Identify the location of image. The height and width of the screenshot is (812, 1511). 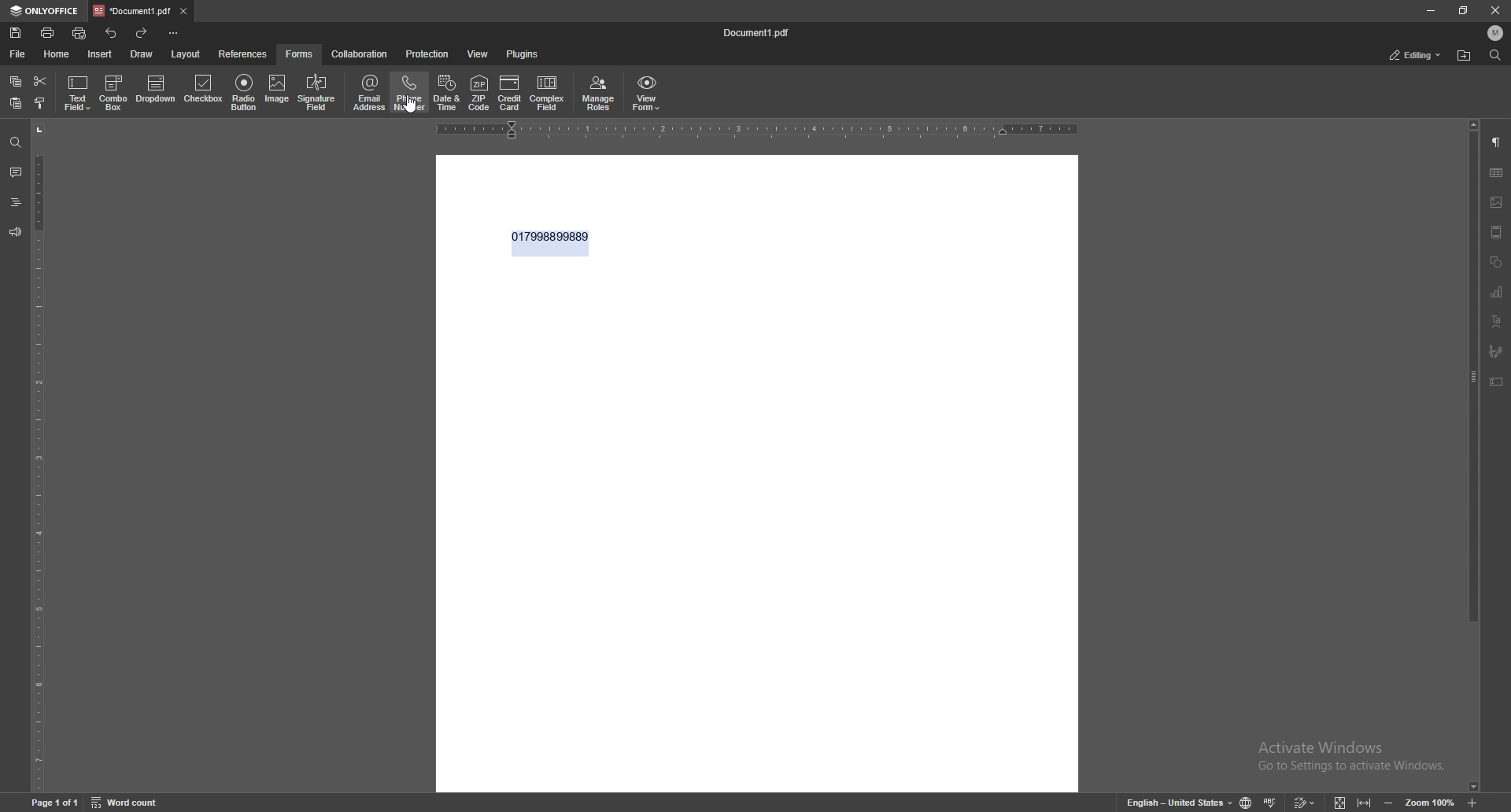
(278, 91).